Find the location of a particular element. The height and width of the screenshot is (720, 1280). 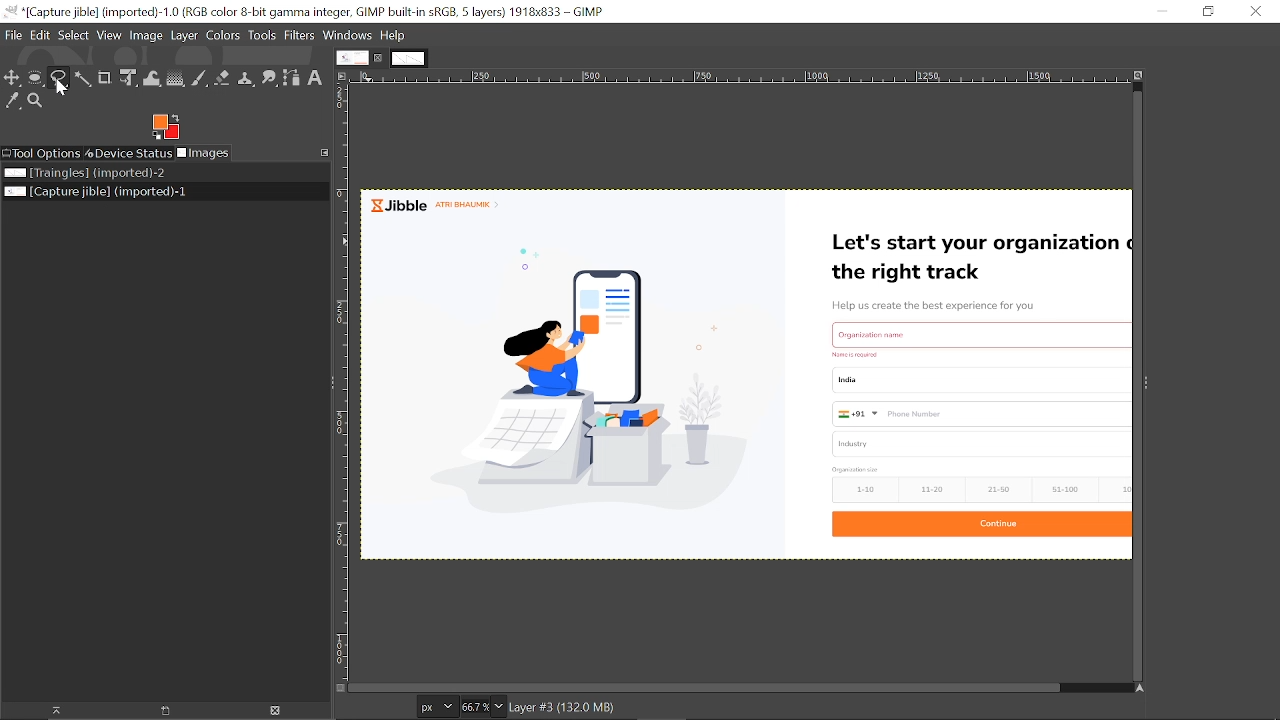

raise the image display is located at coordinates (51, 710).